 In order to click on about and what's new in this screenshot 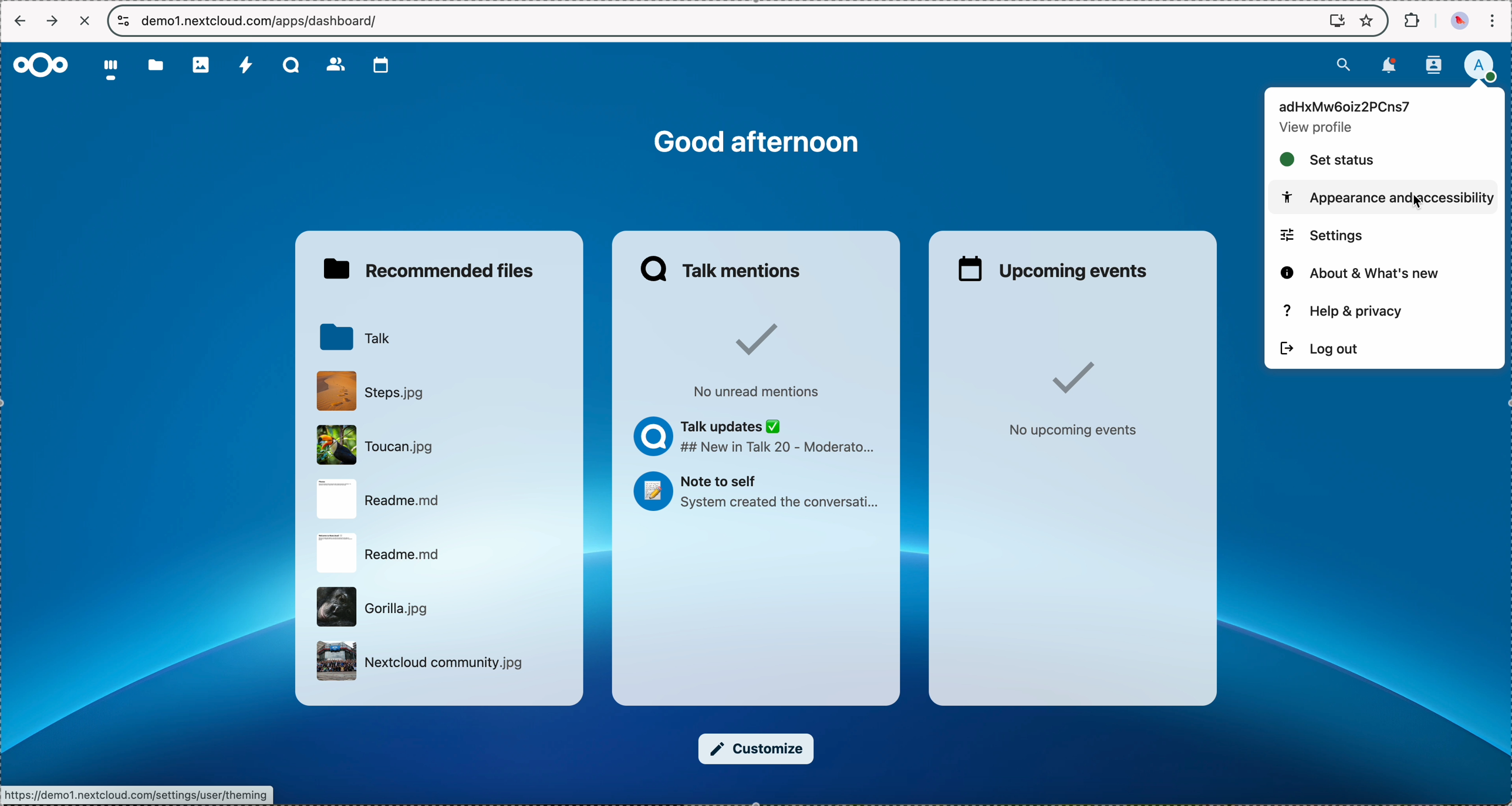, I will do `click(1364, 272)`.